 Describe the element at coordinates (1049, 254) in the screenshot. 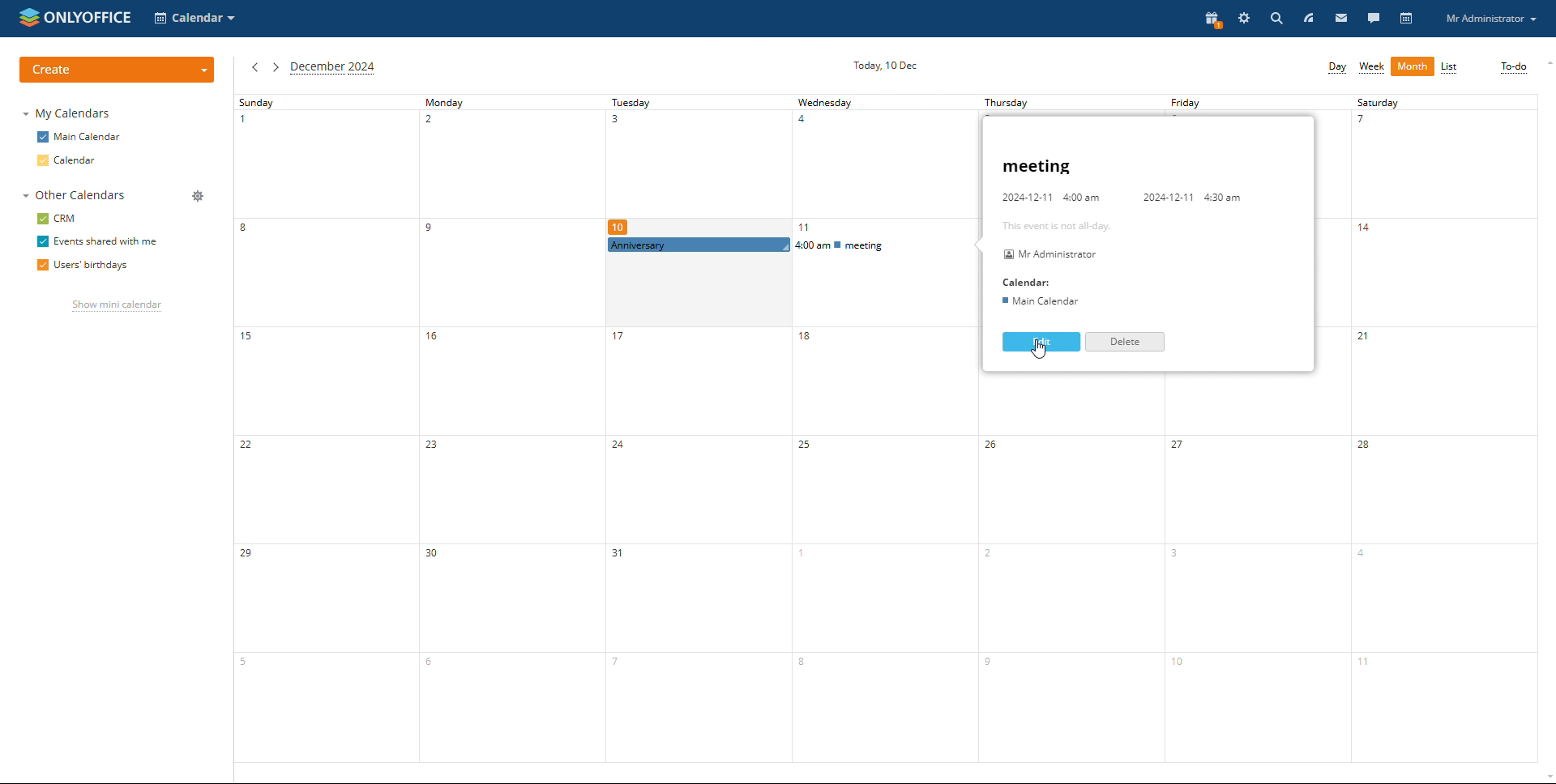

I see `mr administrator` at that location.